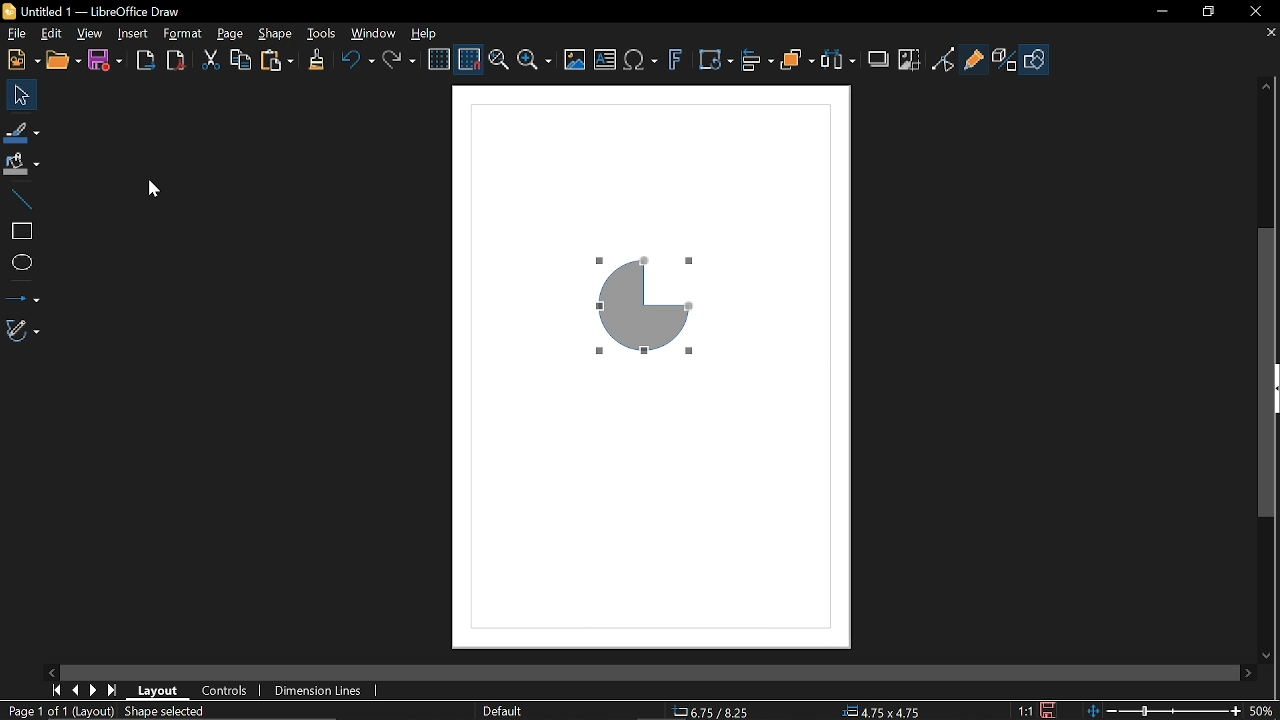 Image resolution: width=1280 pixels, height=720 pixels. Describe the element at coordinates (48, 33) in the screenshot. I see `Edit` at that location.